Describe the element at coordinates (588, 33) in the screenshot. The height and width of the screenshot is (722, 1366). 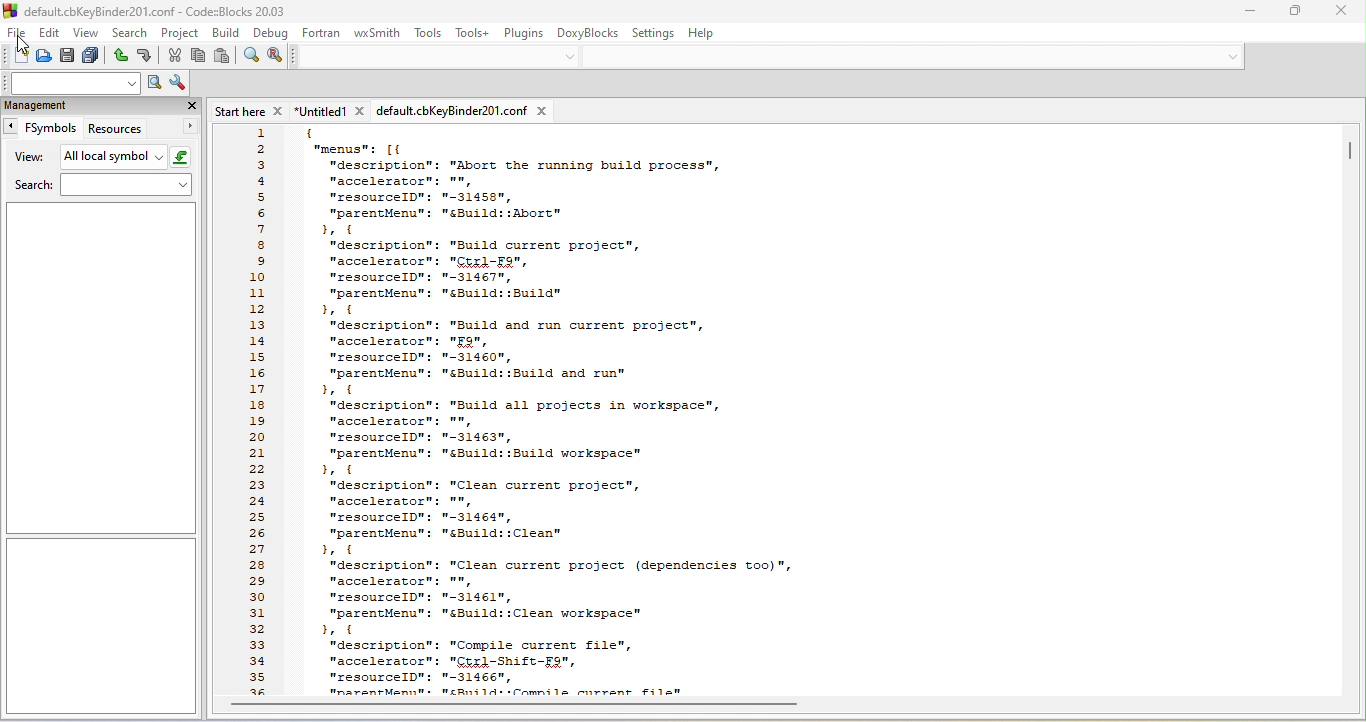
I see `doxyblocks` at that location.